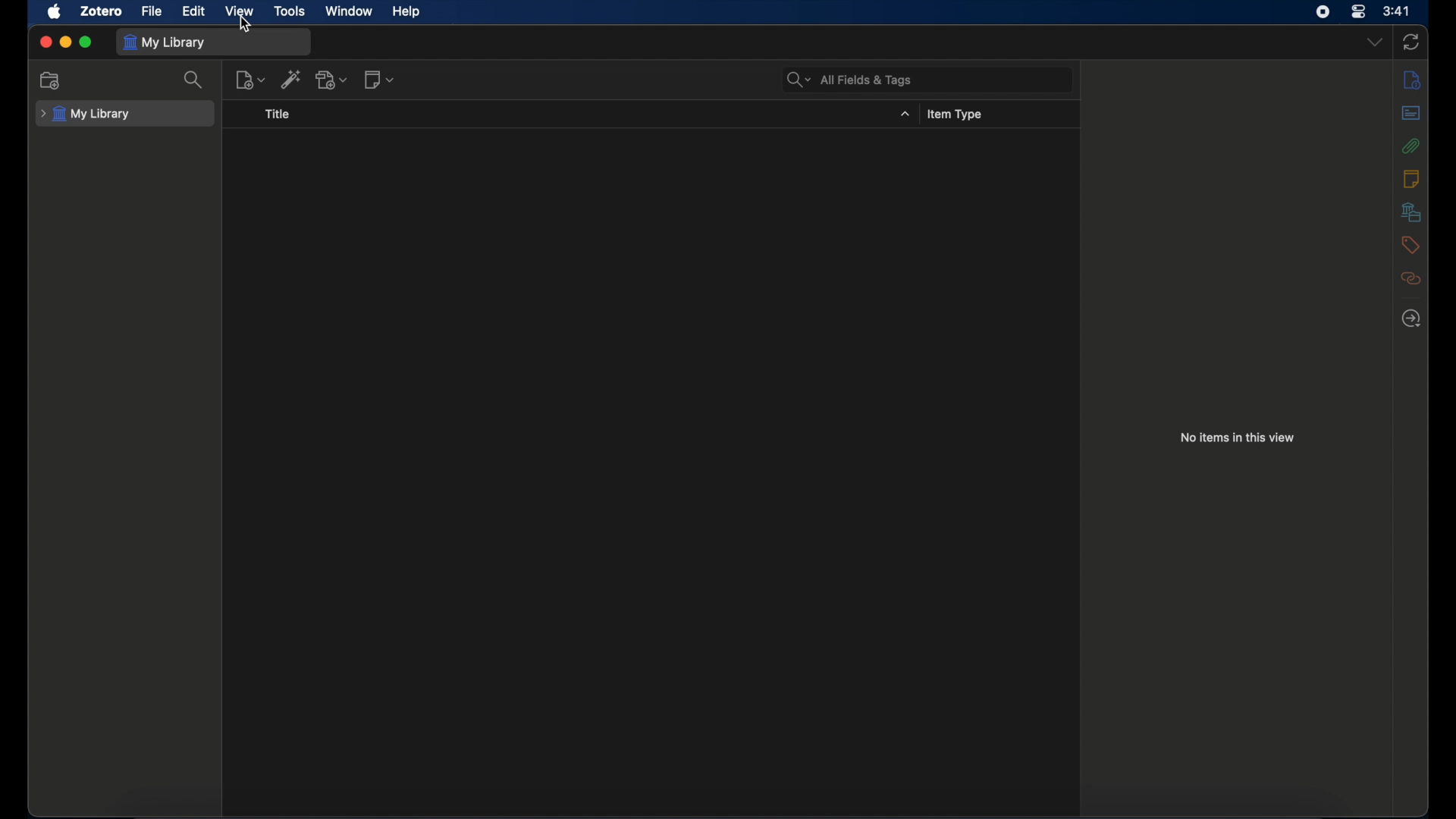 Image resolution: width=1456 pixels, height=819 pixels. I want to click on add item by identifier, so click(291, 80).